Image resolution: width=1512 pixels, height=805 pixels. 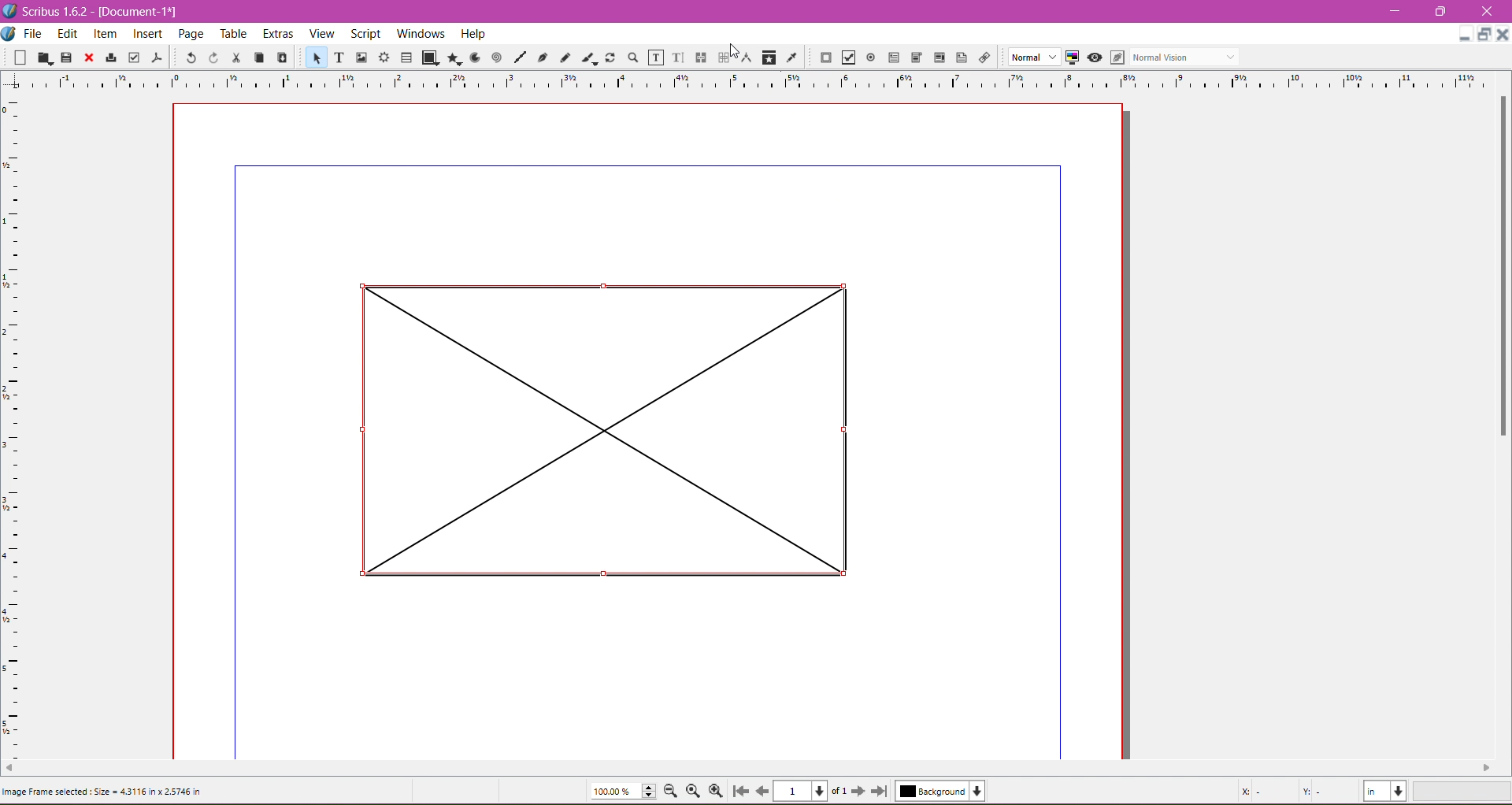 What do you see at coordinates (473, 57) in the screenshot?
I see `Arc` at bounding box center [473, 57].